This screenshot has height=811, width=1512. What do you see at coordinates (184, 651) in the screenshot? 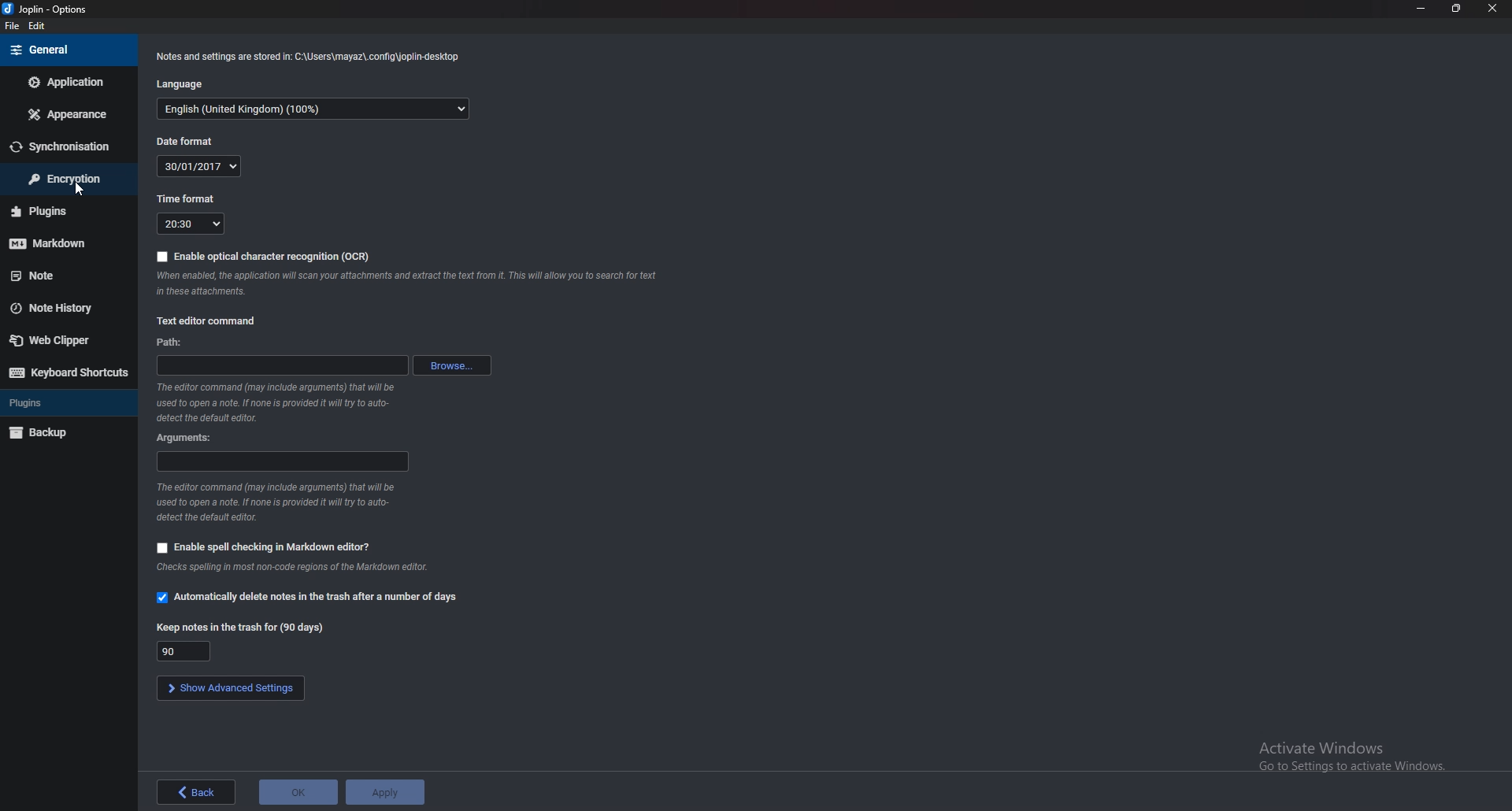
I see `keep notes in trash for` at bounding box center [184, 651].